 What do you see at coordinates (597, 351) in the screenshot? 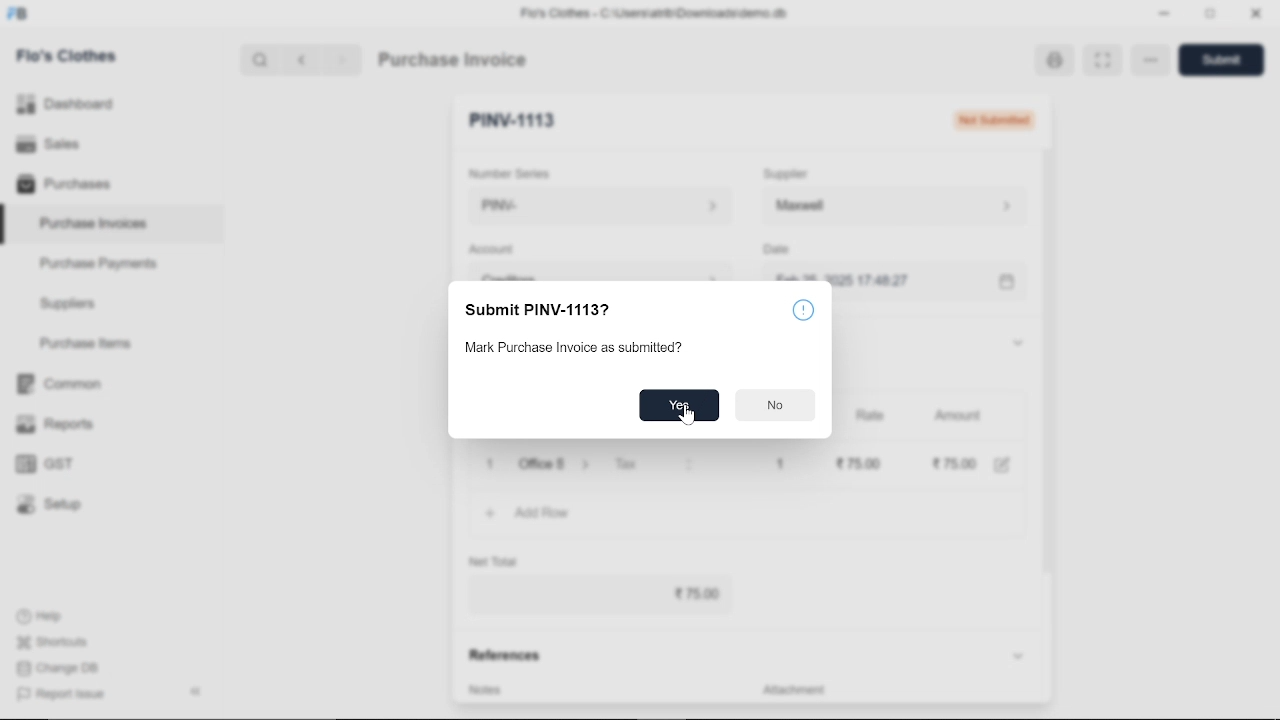
I see `Mark Purchase Invoice as submitted?` at bounding box center [597, 351].